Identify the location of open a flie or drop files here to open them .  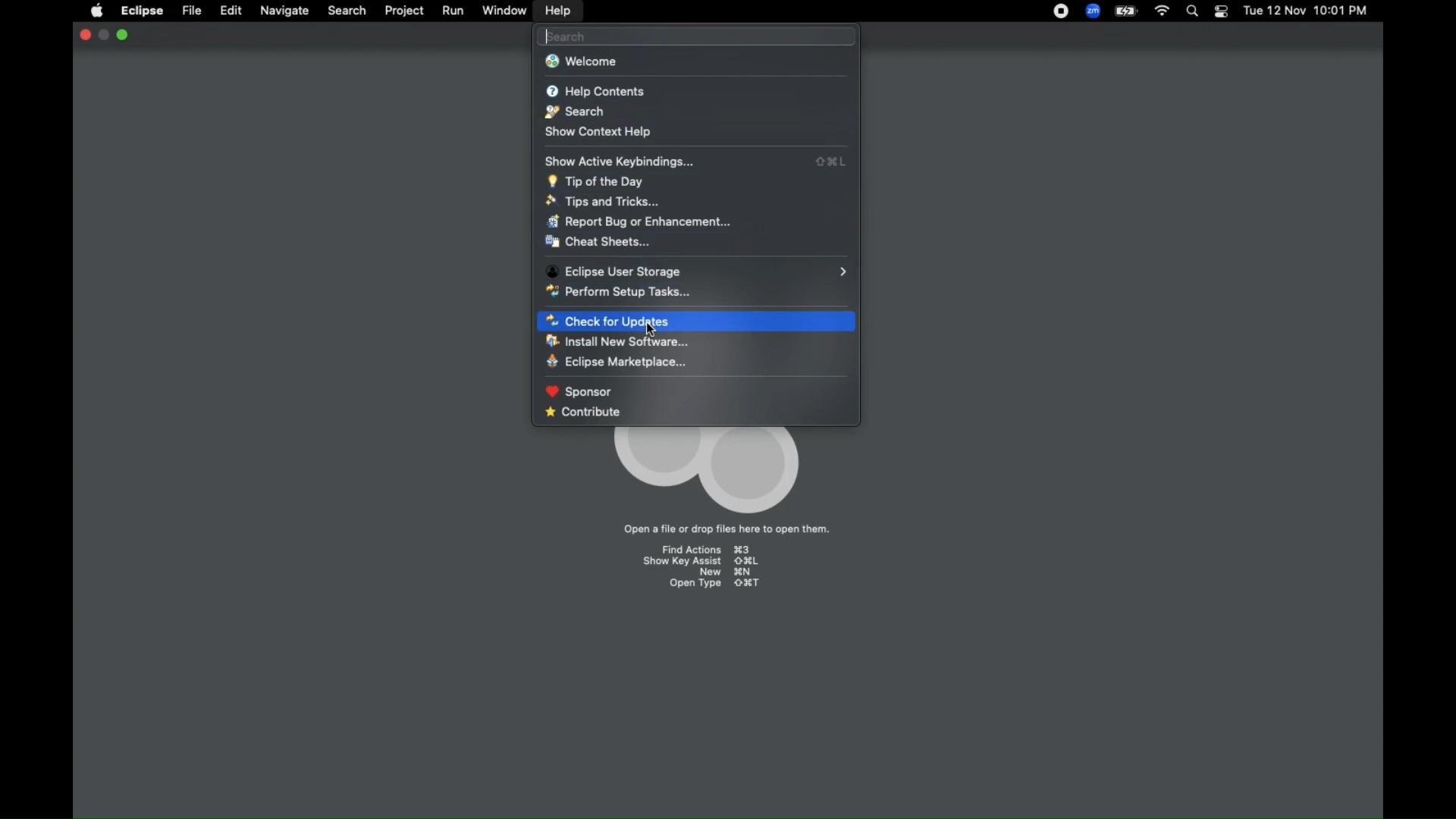
(728, 529).